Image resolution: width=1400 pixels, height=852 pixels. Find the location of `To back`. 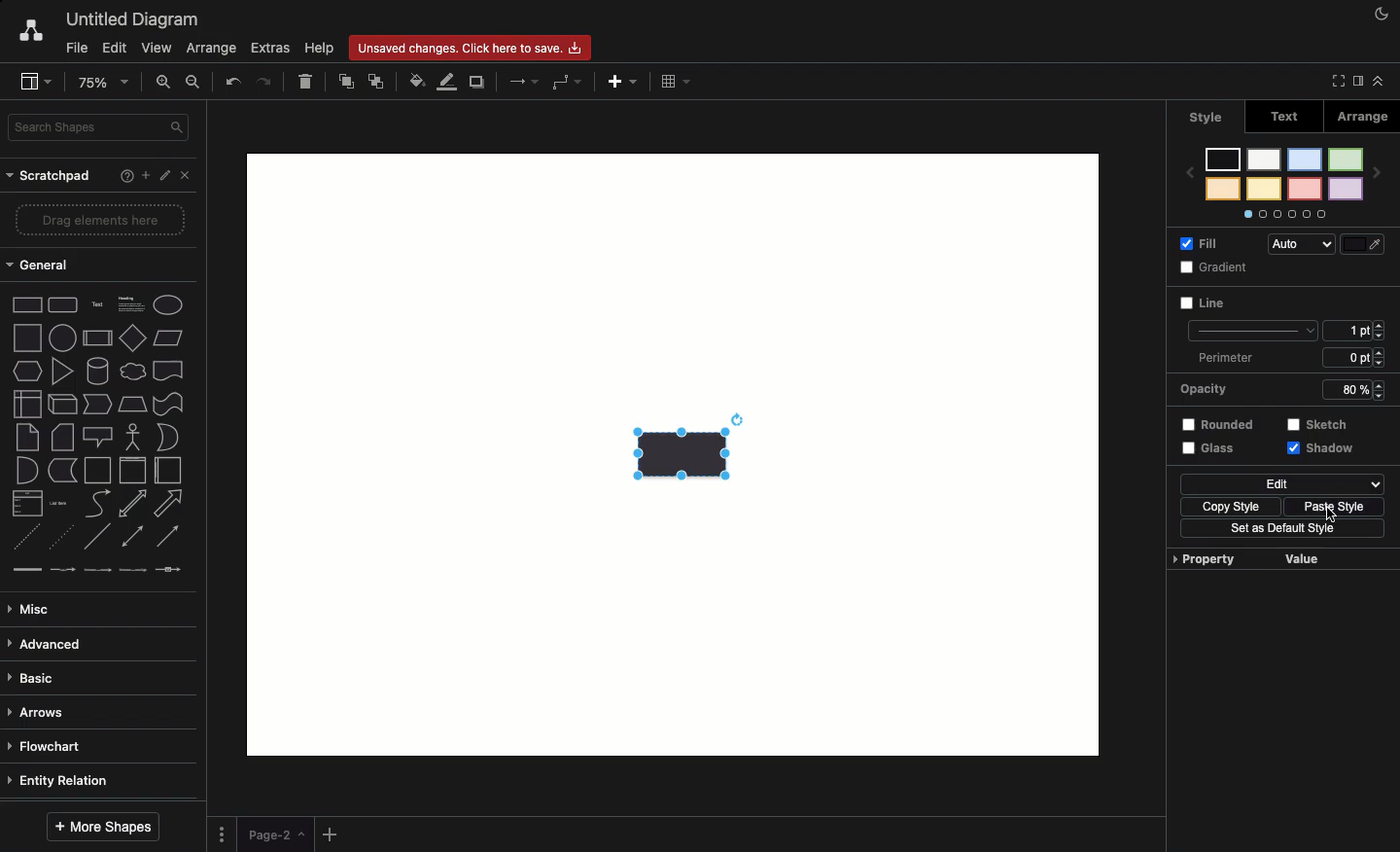

To back is located at coordinates (376, 83).